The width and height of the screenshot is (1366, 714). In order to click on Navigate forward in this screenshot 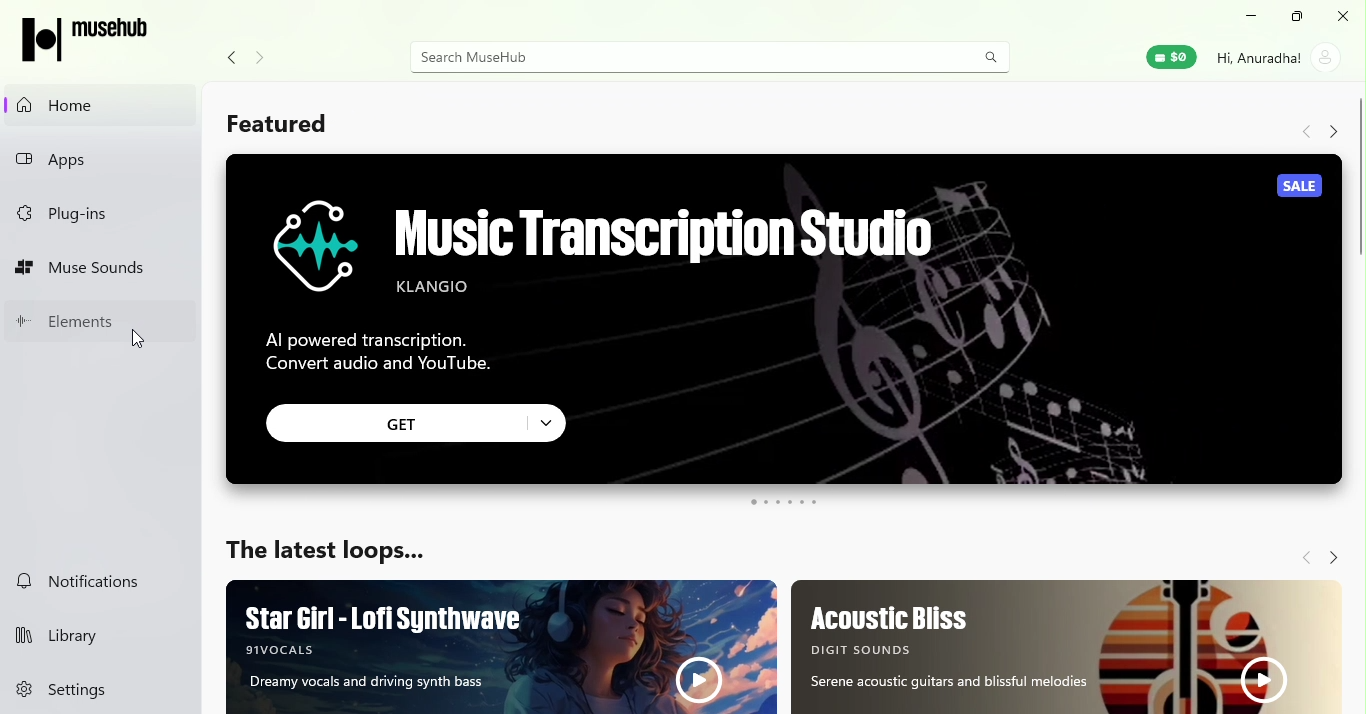, I will do `click(1338, 558)`.